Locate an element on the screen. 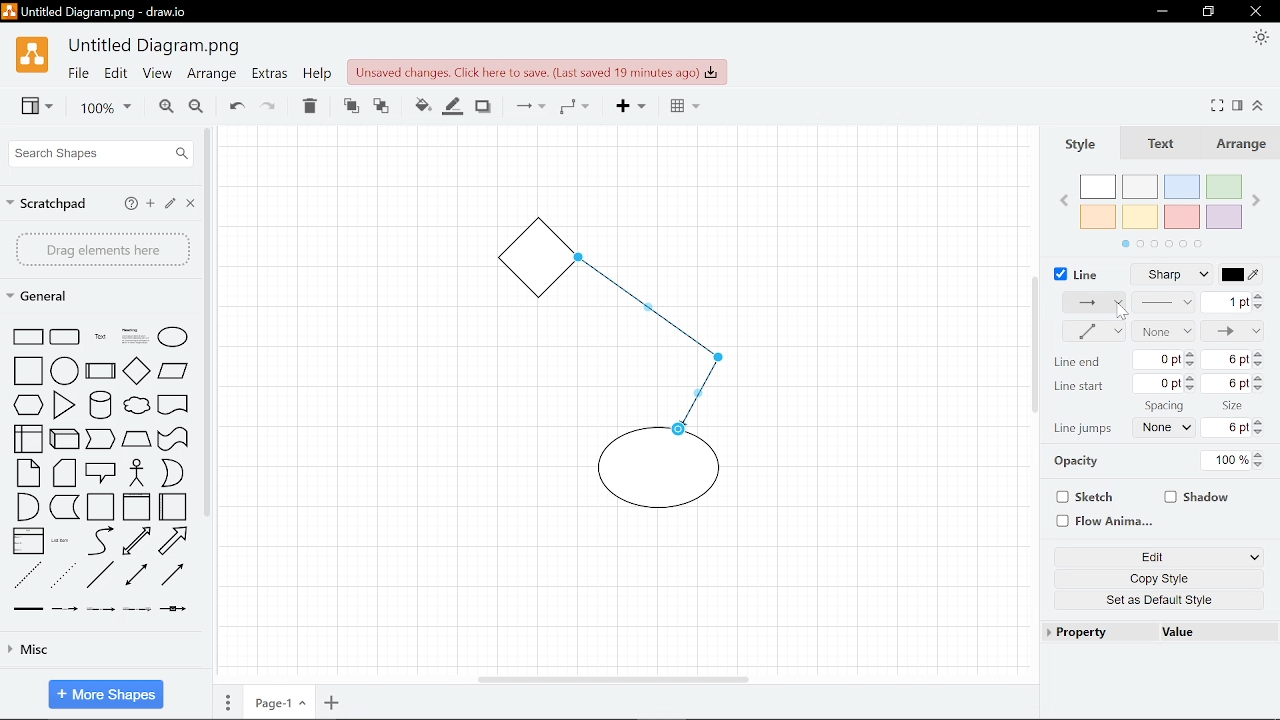 This screenshot has width=1280, height=720. Untitled Diagram.png - draw.io is located at coordinates (109, 14).